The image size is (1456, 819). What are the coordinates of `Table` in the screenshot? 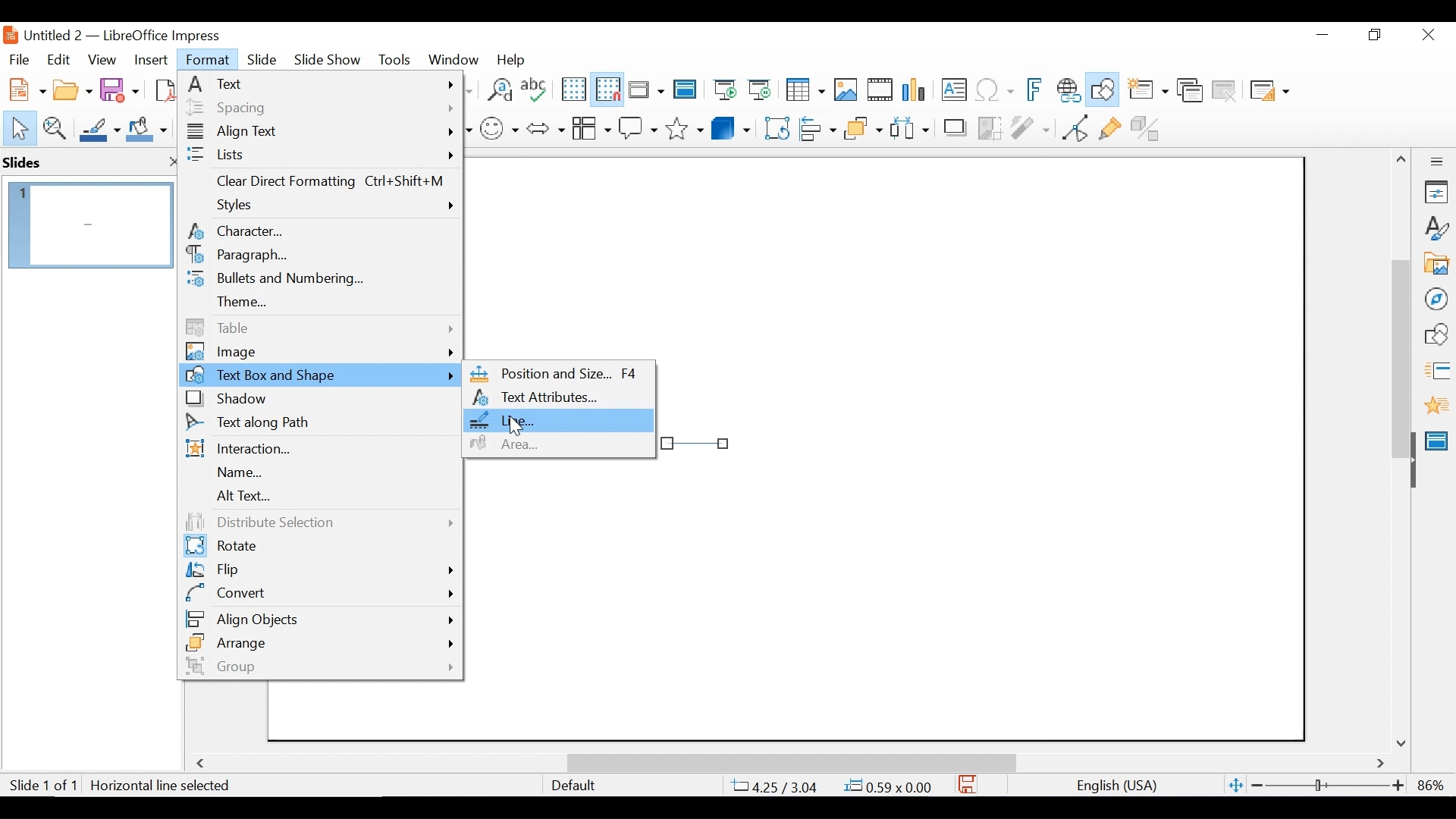 It's located at (319, 327).